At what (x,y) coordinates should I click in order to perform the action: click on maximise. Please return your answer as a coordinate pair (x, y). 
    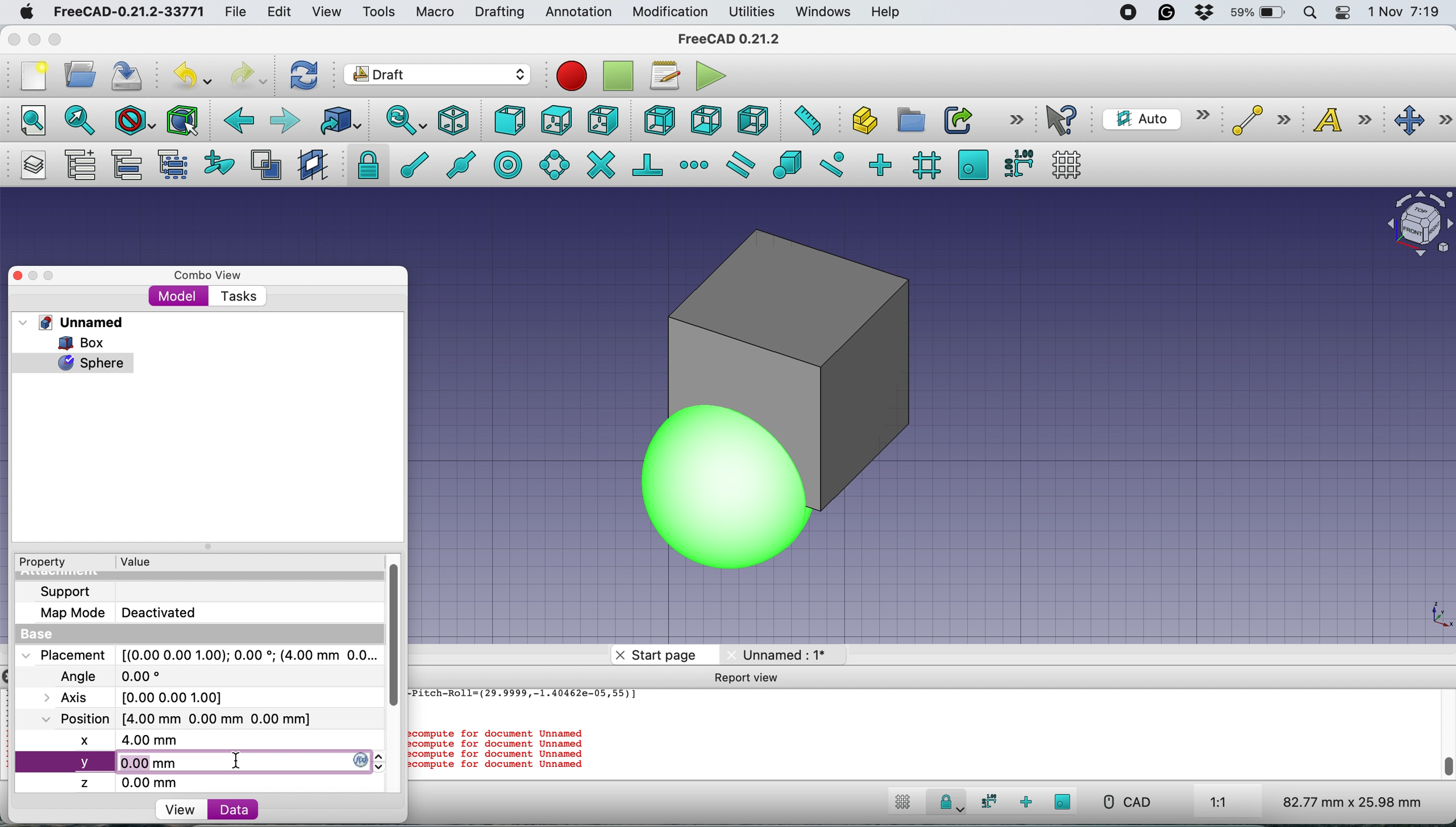
    Looking at the image, I should click on (60, 41).